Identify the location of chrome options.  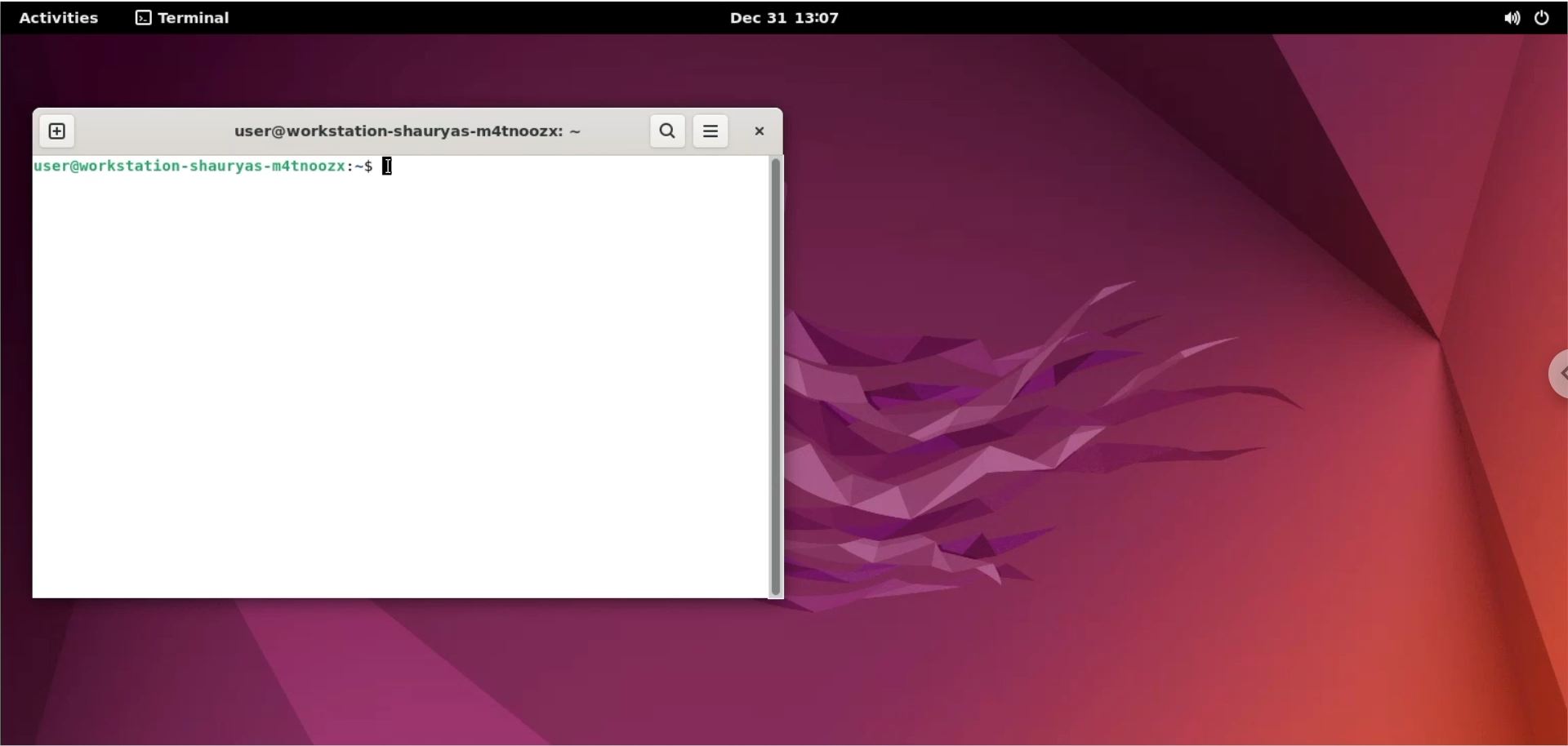
(1552, 381).